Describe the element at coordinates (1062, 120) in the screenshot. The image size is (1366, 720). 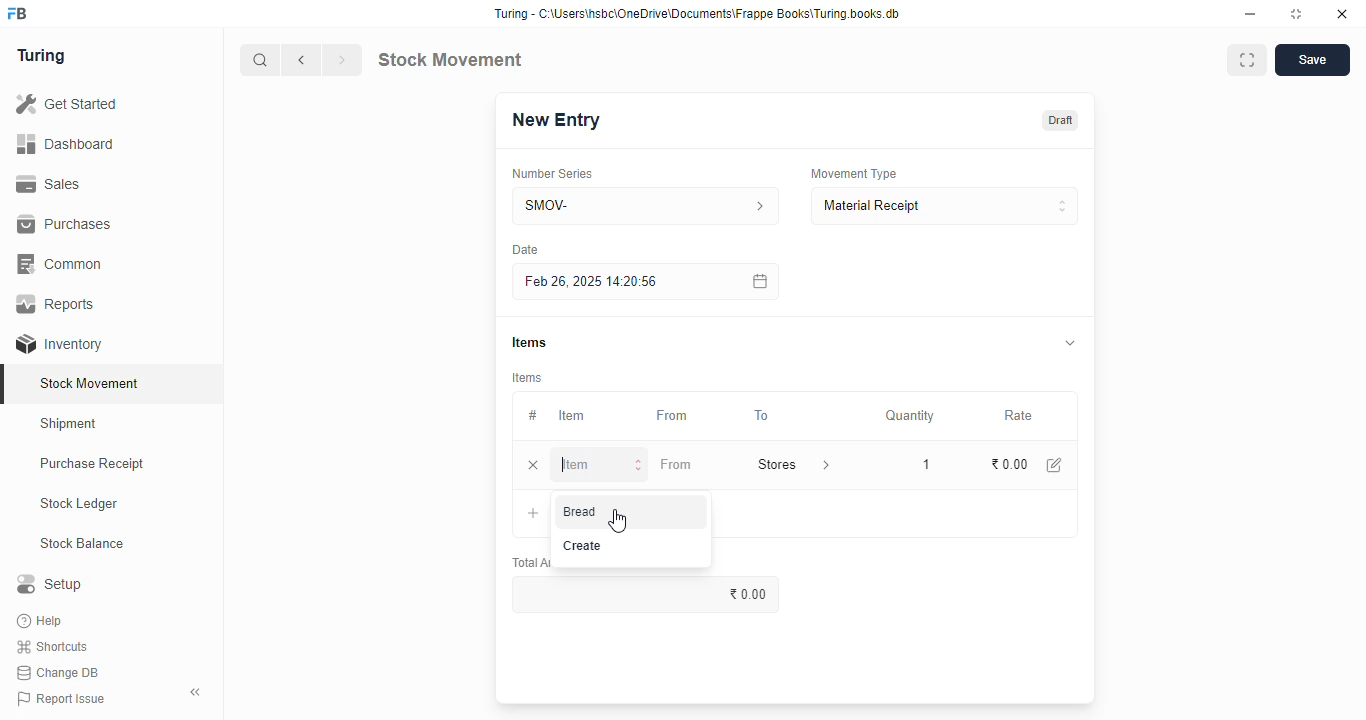
I see `draft` at that location.